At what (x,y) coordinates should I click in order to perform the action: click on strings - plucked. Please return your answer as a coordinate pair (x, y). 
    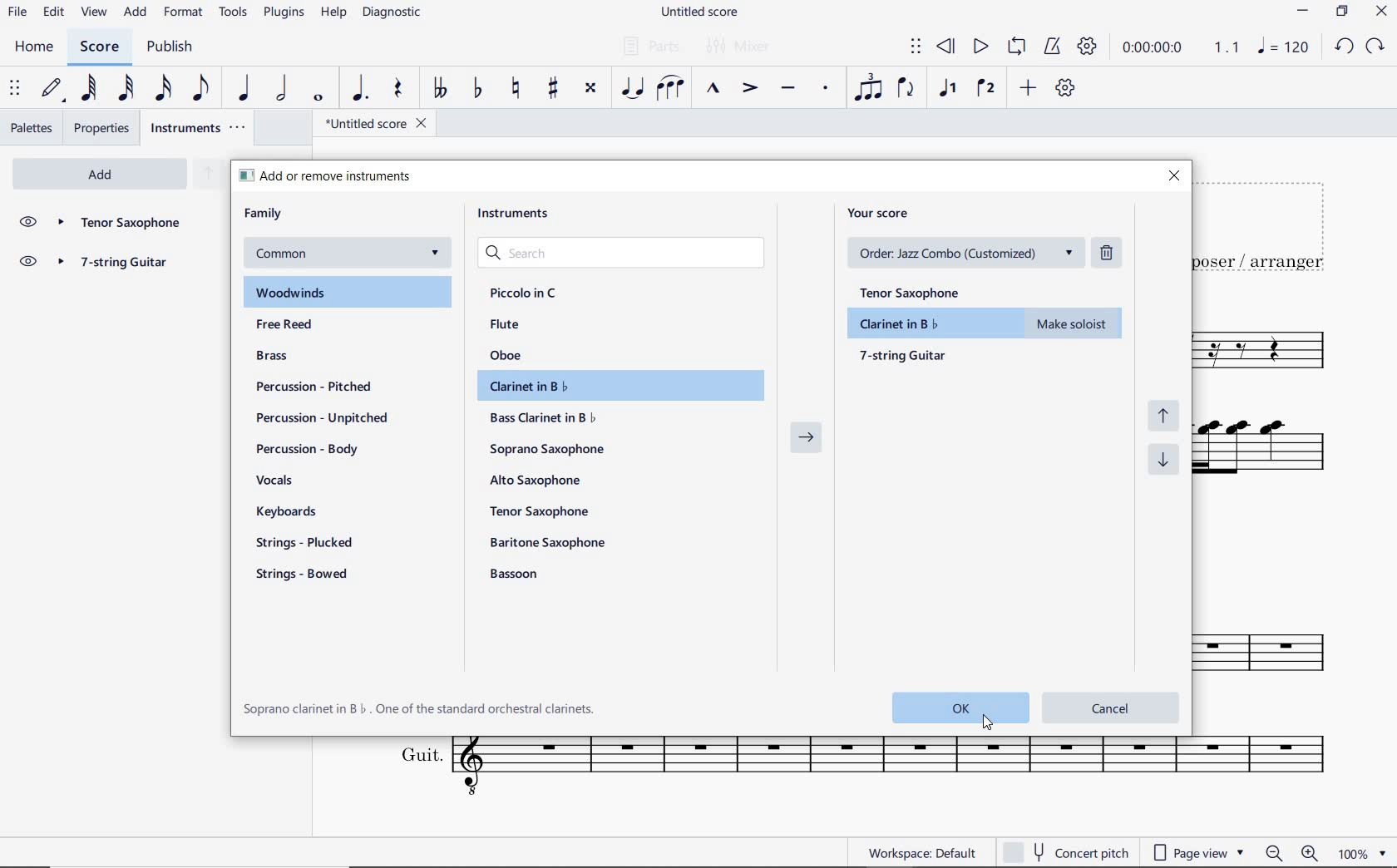
    Looking at the image, I should click on (309, 542).